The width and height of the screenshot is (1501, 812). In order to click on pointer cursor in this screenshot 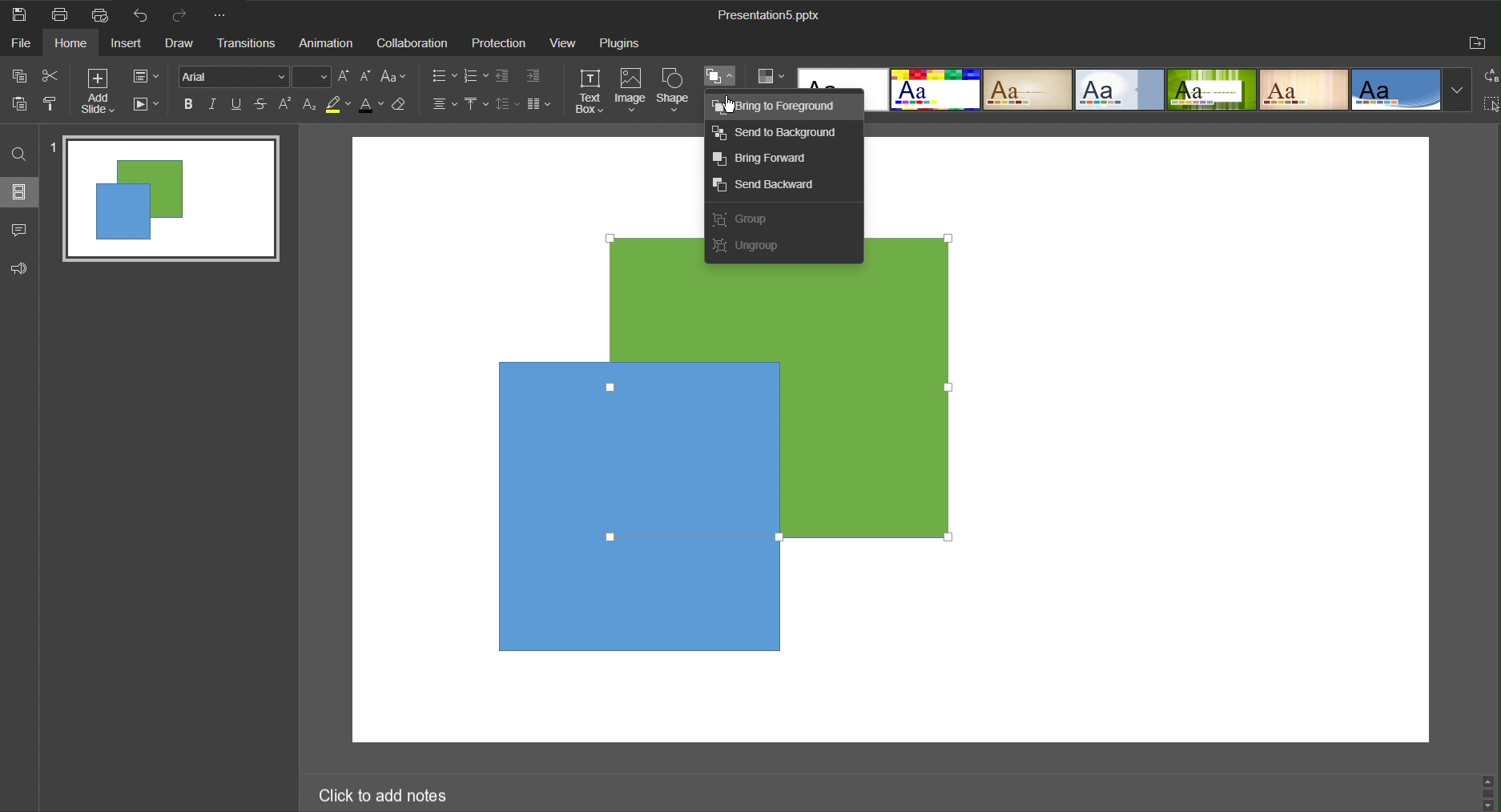, I will do `click(734, 107)`.